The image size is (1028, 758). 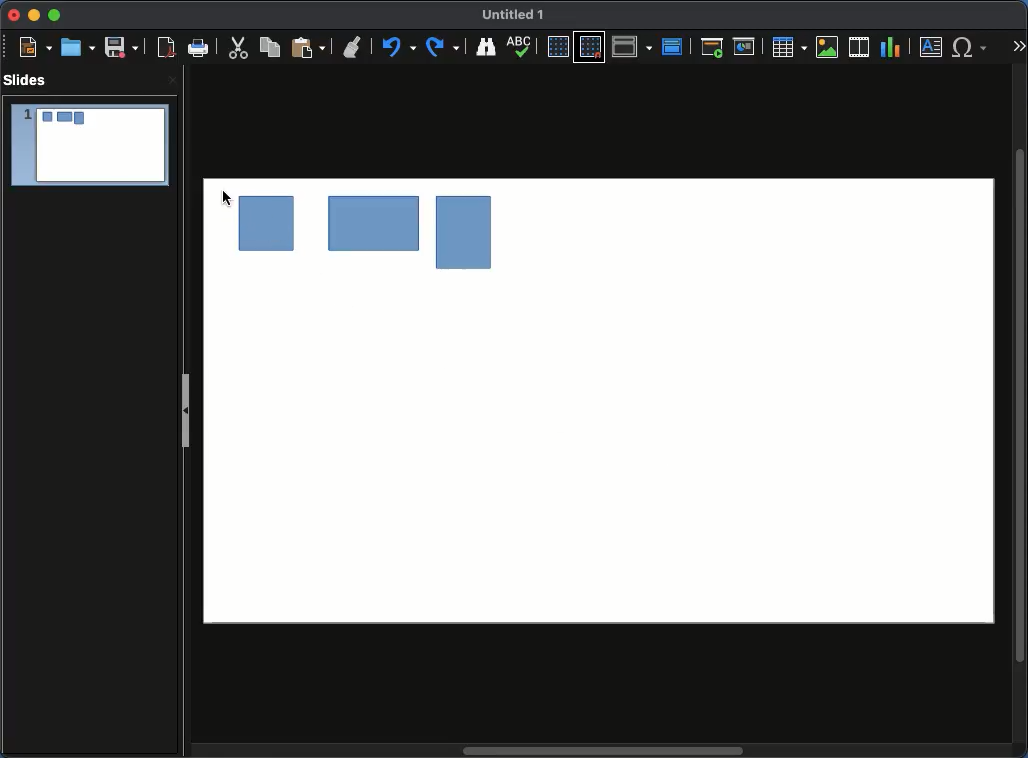 I want to click on Display views, so click(x=632, y=46).